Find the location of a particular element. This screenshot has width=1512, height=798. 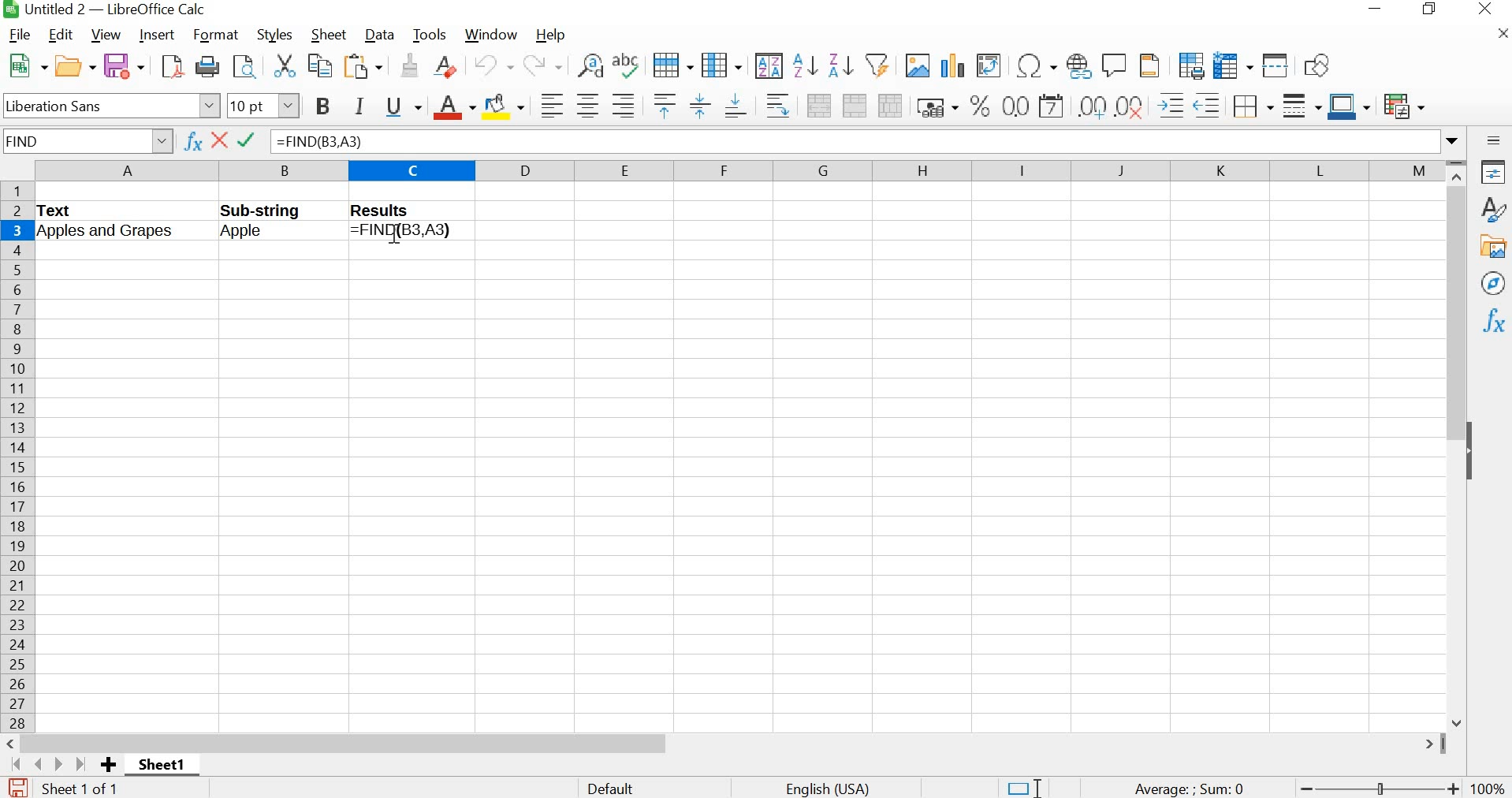

italic is located at coordinates (358, 105).